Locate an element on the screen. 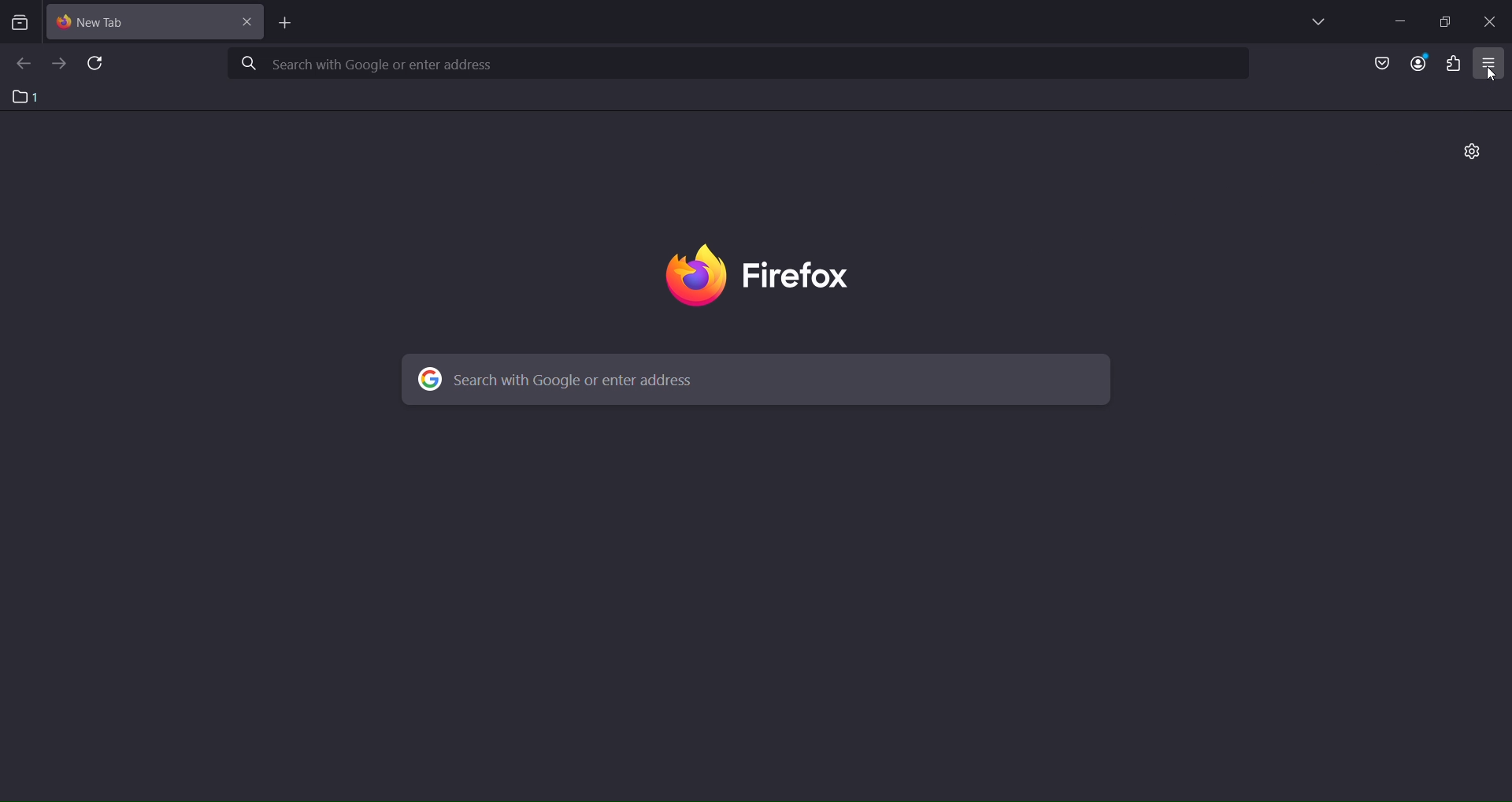 This screenshot has height=802, width=1512. Q search with Google or enter address is located at coordinates (371, 66).